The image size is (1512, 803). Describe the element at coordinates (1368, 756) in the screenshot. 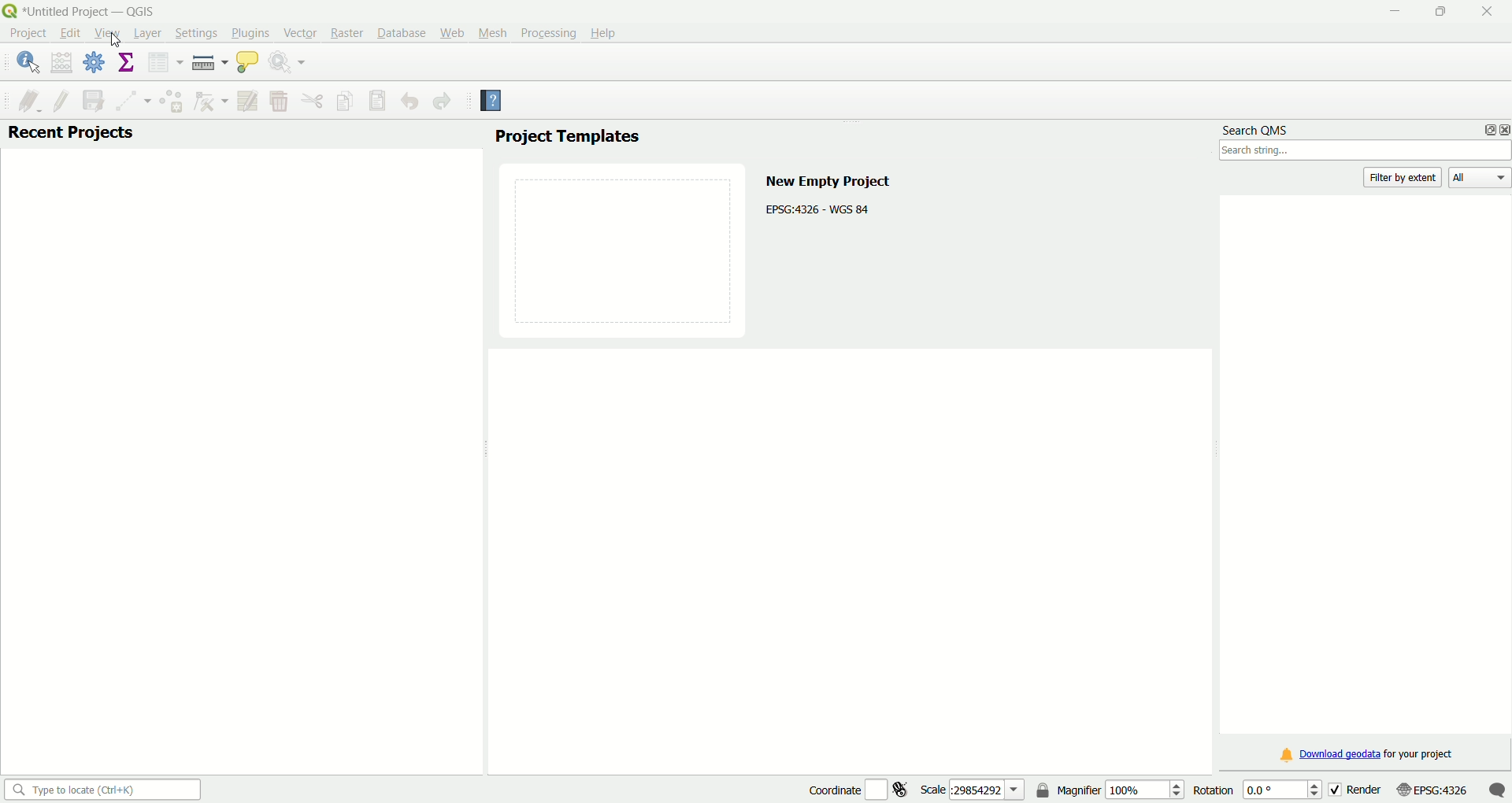

I see `Download geodata for your project` at that location.